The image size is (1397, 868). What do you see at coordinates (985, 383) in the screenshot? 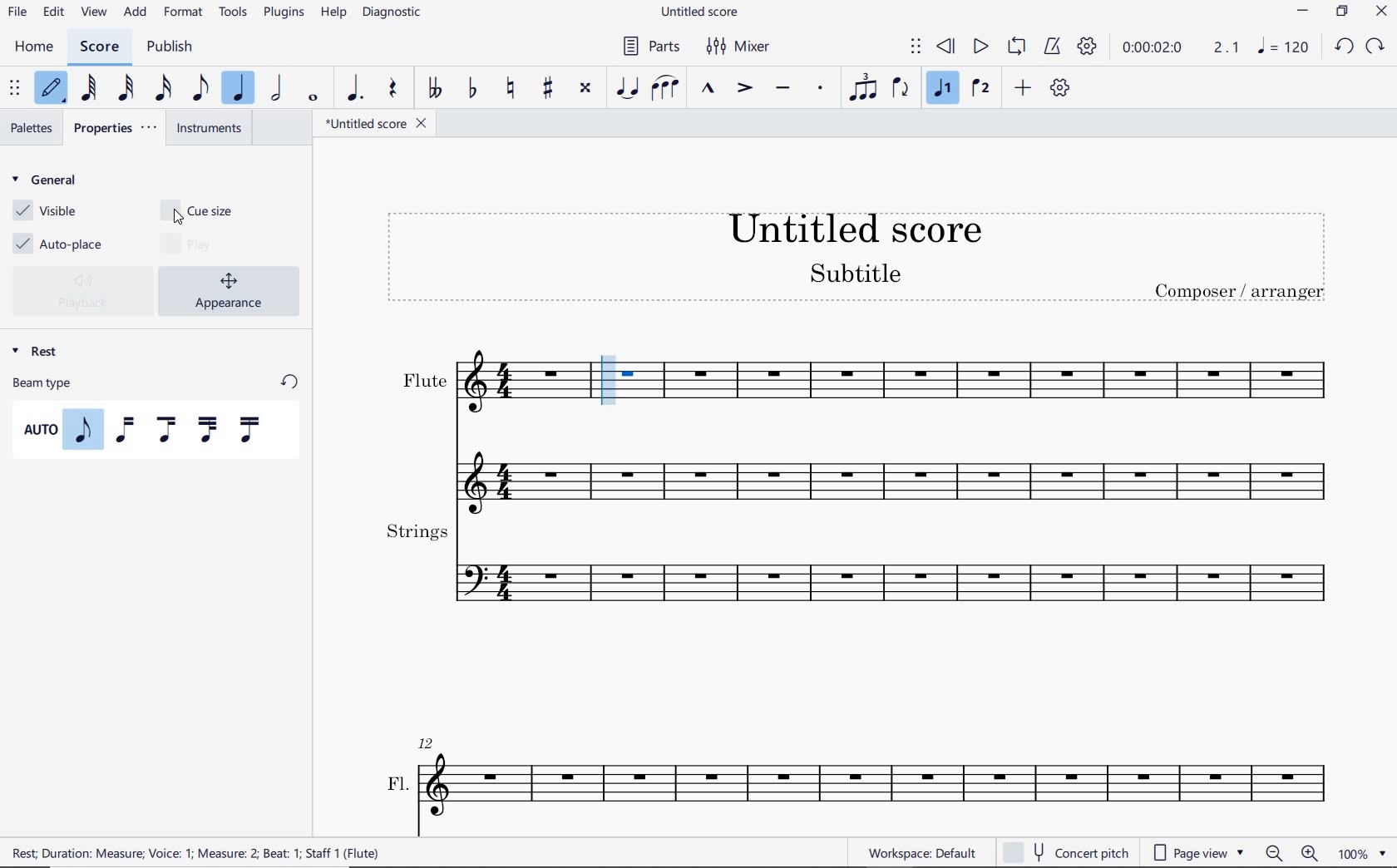
I see `flute` at bounding box center [985, 383].